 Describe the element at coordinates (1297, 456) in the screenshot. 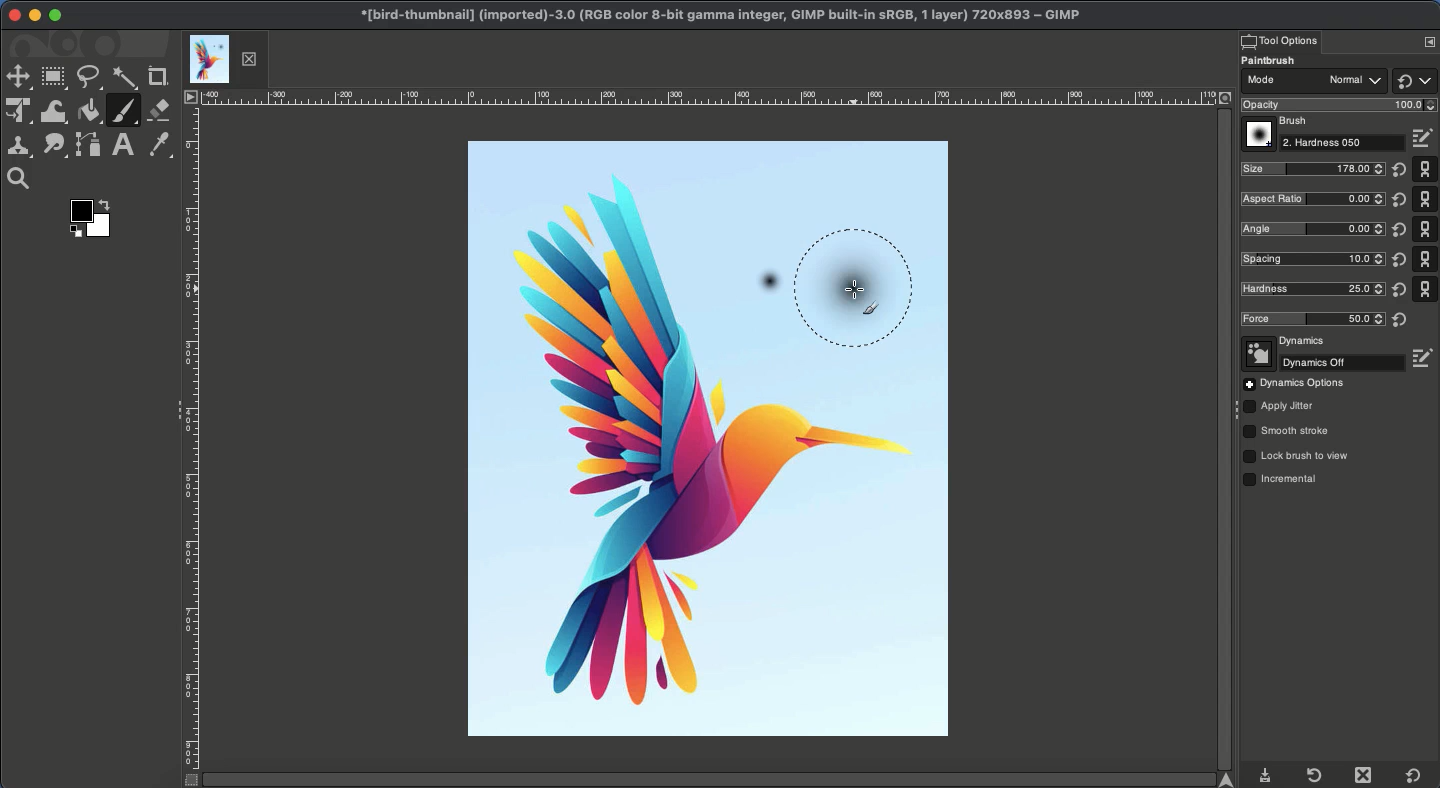

I see `Lock ` at that location.